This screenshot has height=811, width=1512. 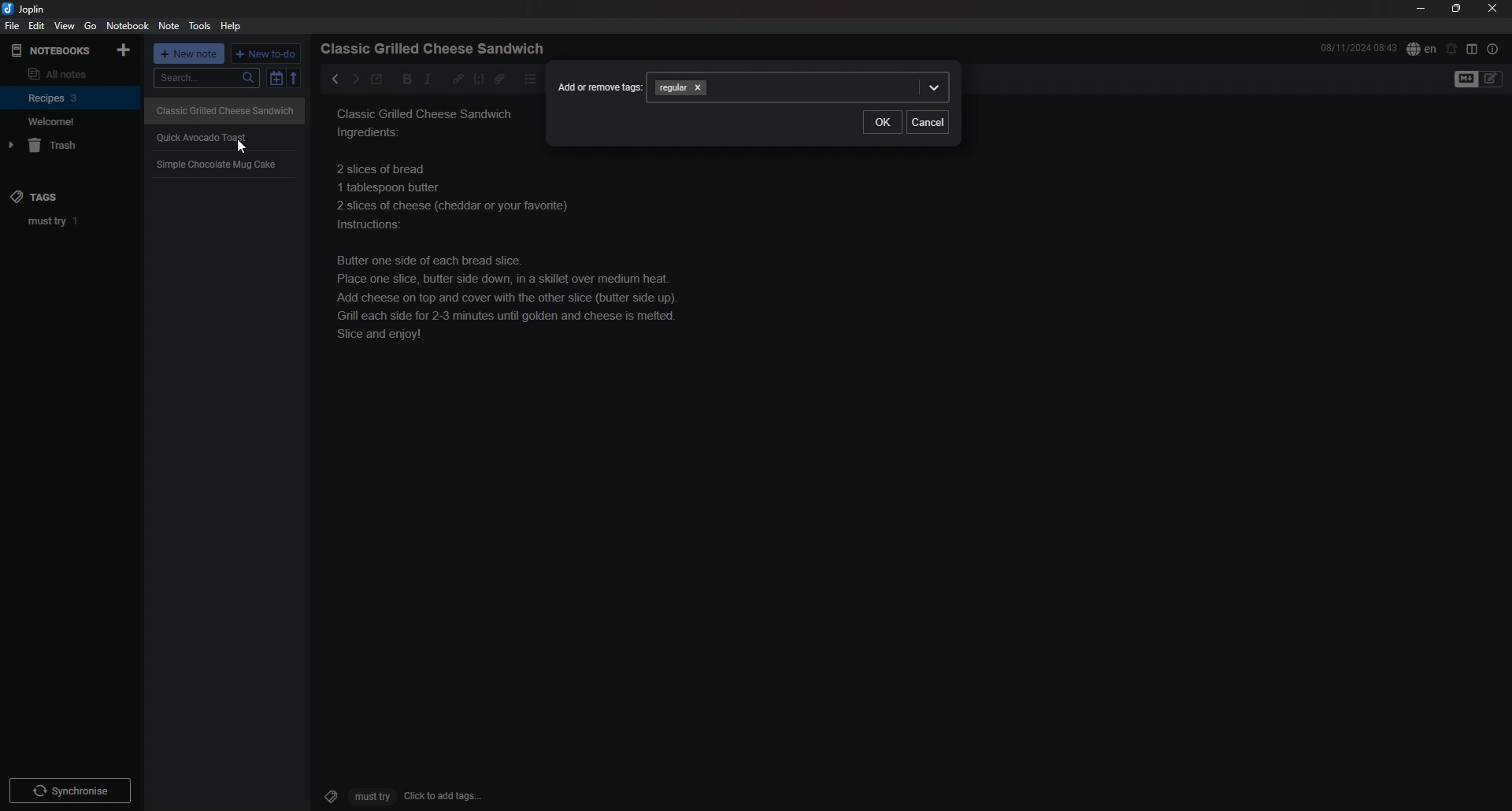 What do you see at coordinates (424, 124) in the screenshot?
I see `Classic Grilled Cheese Sandwich.` at bounding box center [424, 124].